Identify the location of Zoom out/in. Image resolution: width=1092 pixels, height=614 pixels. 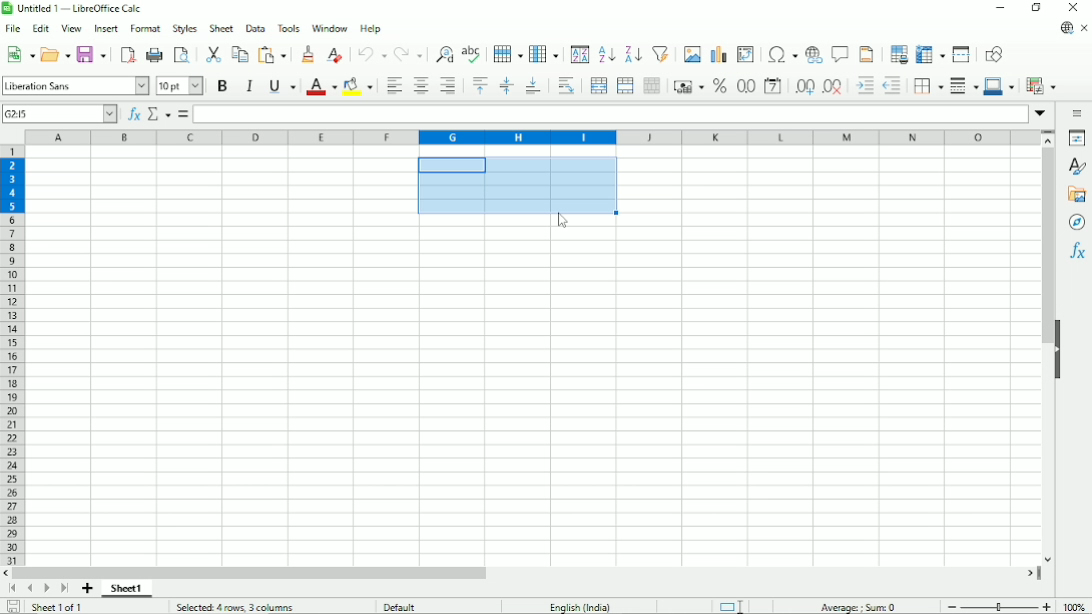
(1000, 606).